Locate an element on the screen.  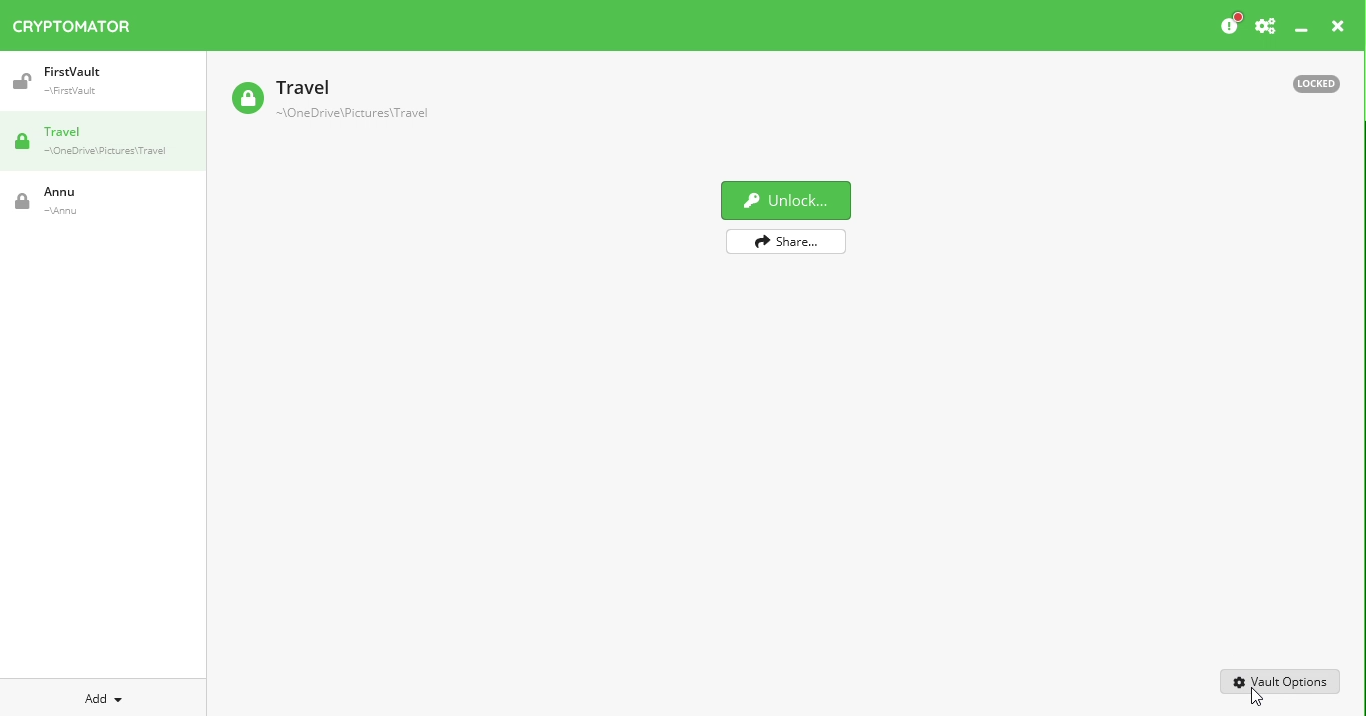
Minimize is located at coordinates (1302, 31).